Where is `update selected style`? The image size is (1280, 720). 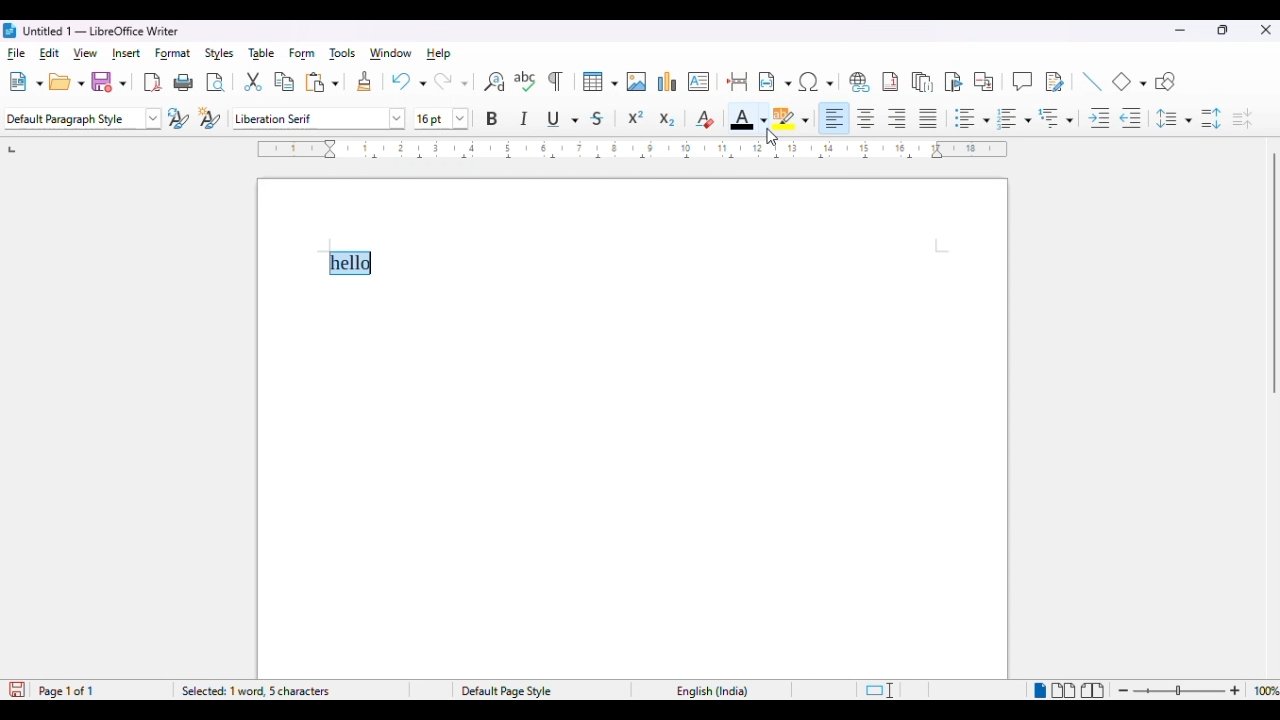
update selected style is located at coordinates (179, 118).